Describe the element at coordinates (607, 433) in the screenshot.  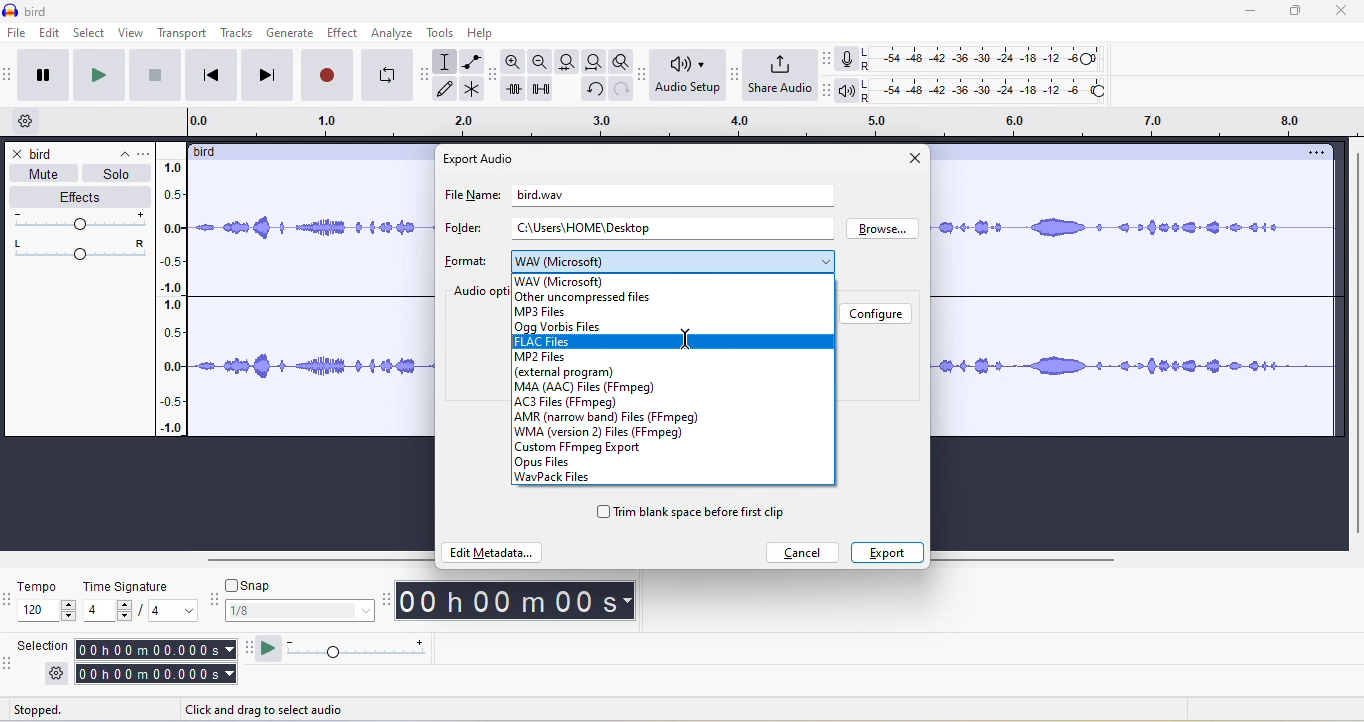
I see `wma` at that location.